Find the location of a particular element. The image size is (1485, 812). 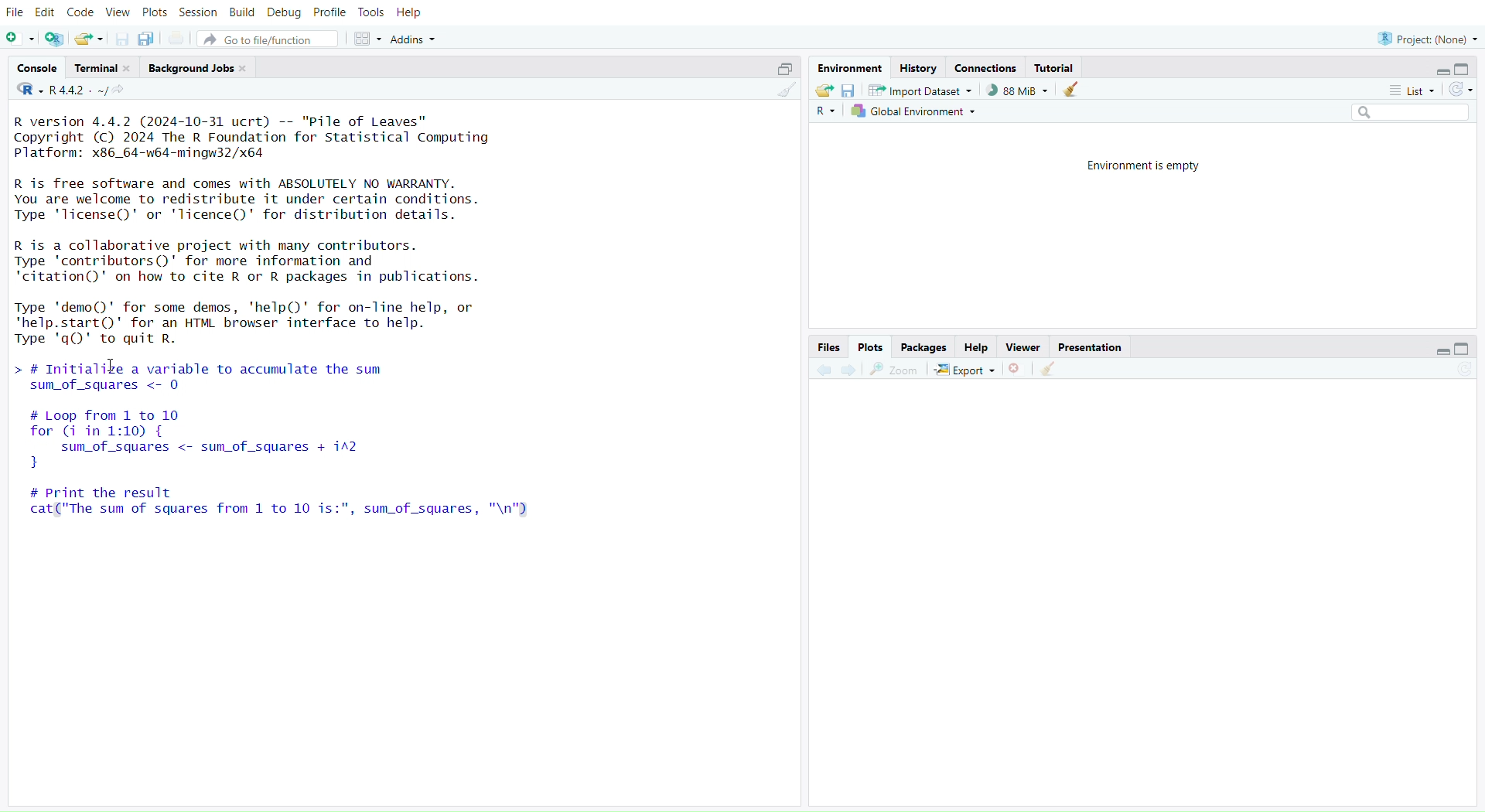

history is located at coordinates (920, 69).